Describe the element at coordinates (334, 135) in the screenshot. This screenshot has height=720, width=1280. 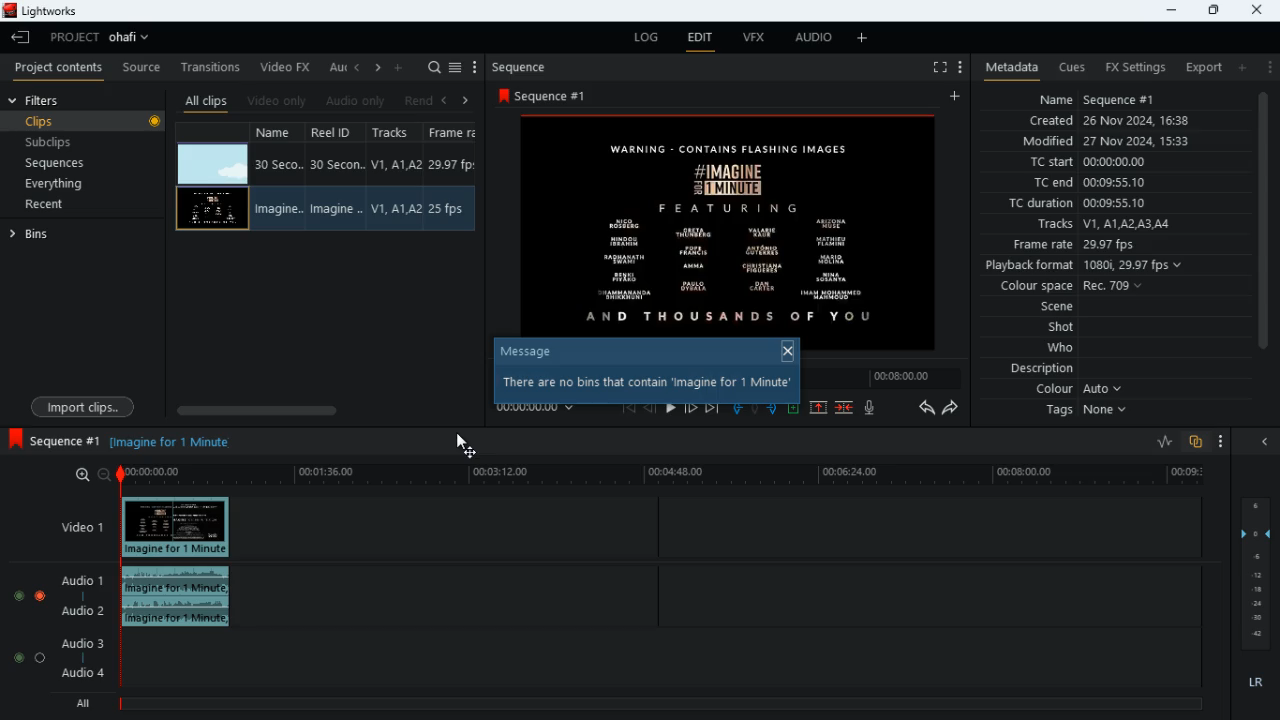
I see `reel id` at that location.